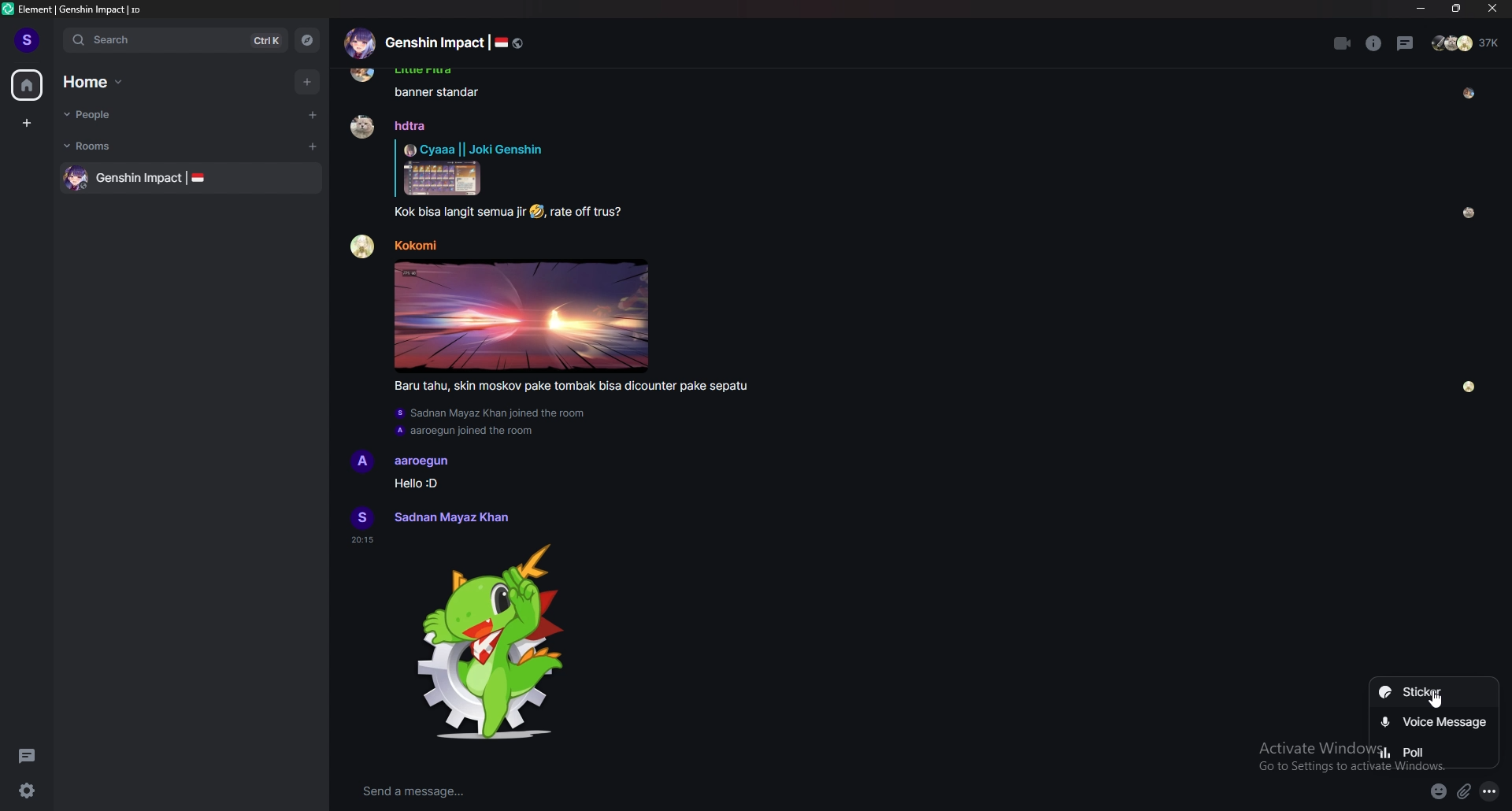  What do you see at coordinates (415, 483) in the screenshot?
I see `Hello :D` at bounding box center [415, 483].